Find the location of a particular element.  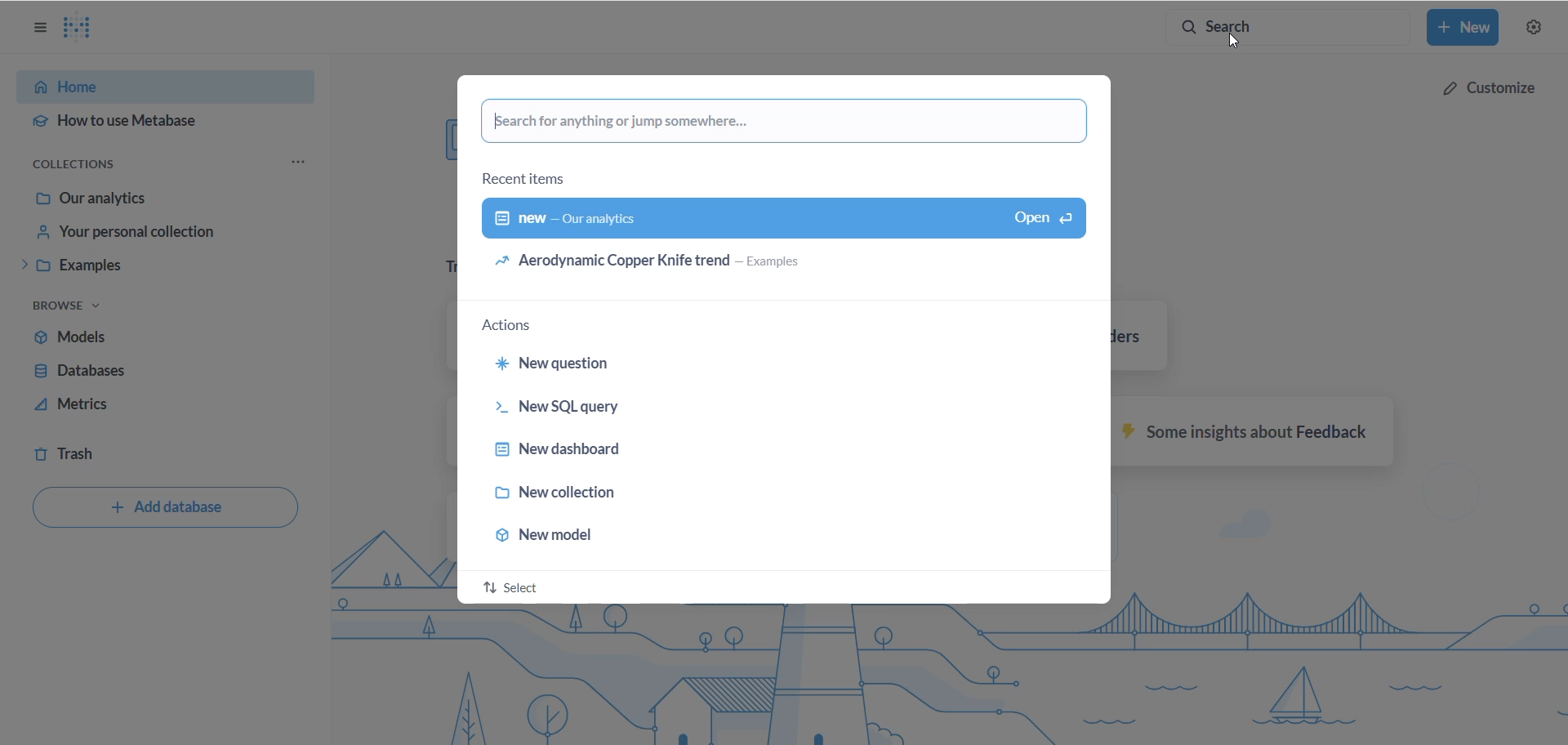

models is located at coordinates (105, 338).